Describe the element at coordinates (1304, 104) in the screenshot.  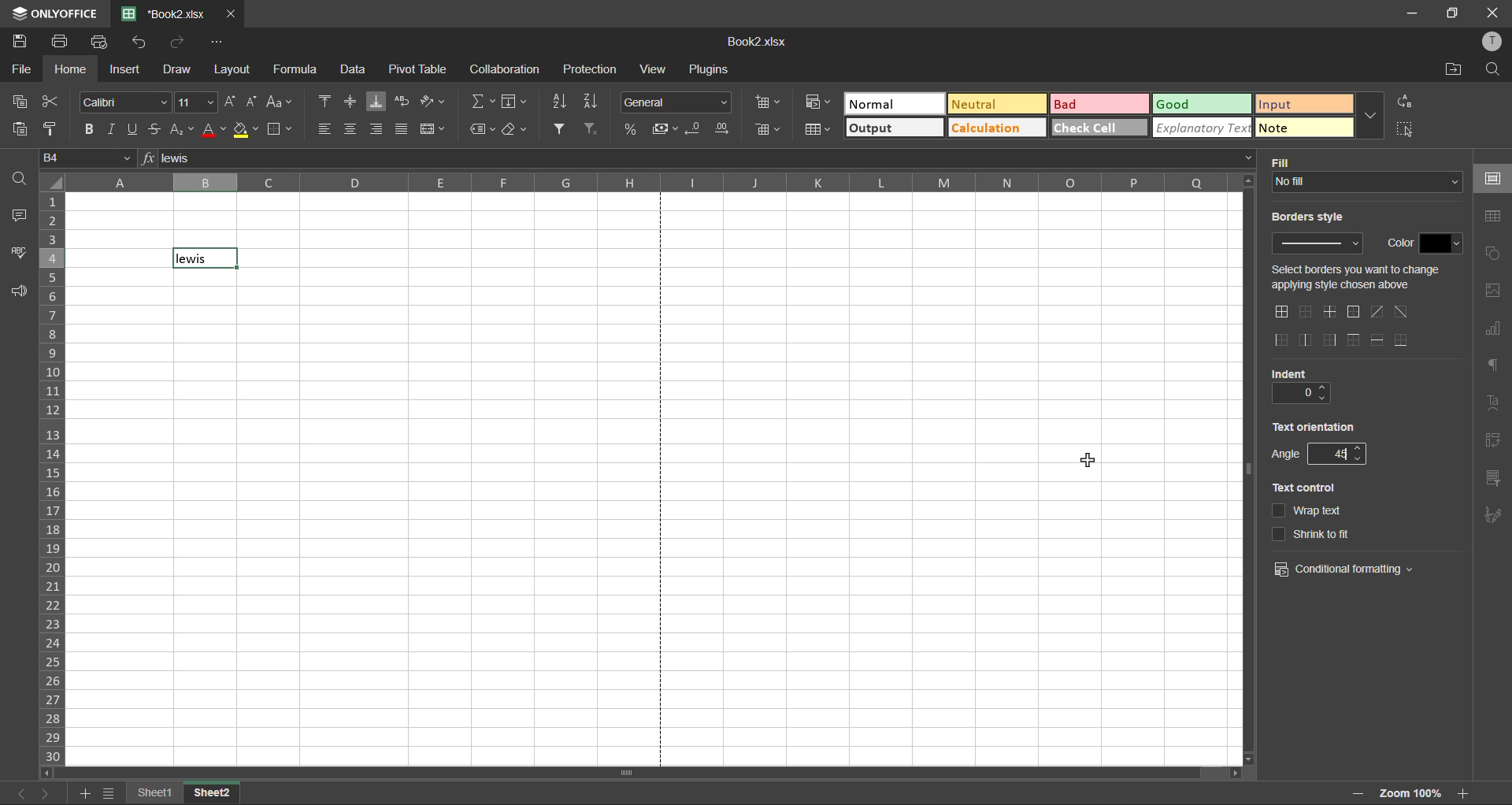
I see `input` at that location.